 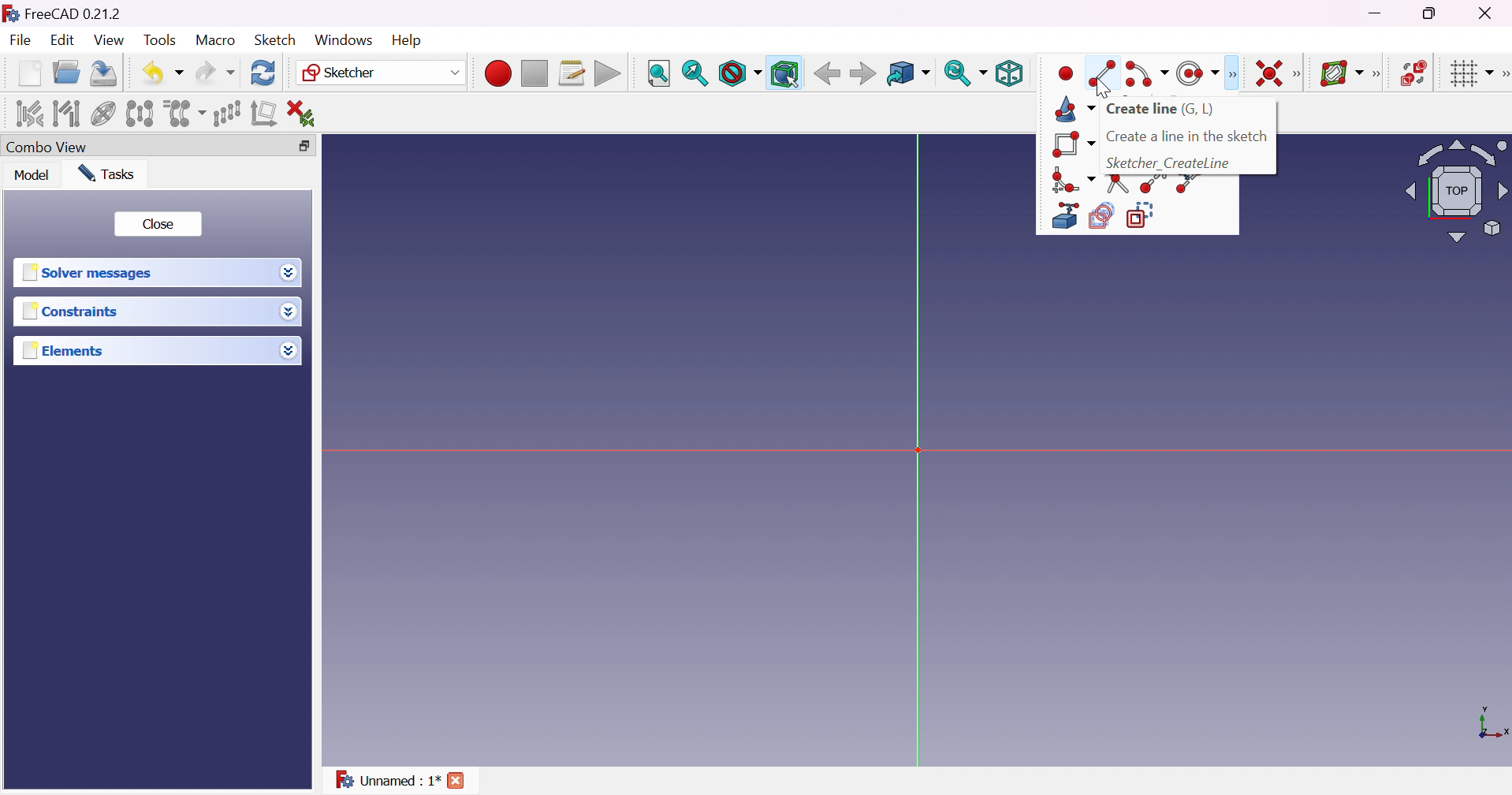 What do you see at coordinates (1266, 73) in the screenshot?
I see `Constrain coincident` at bounding box center [1266, 73].